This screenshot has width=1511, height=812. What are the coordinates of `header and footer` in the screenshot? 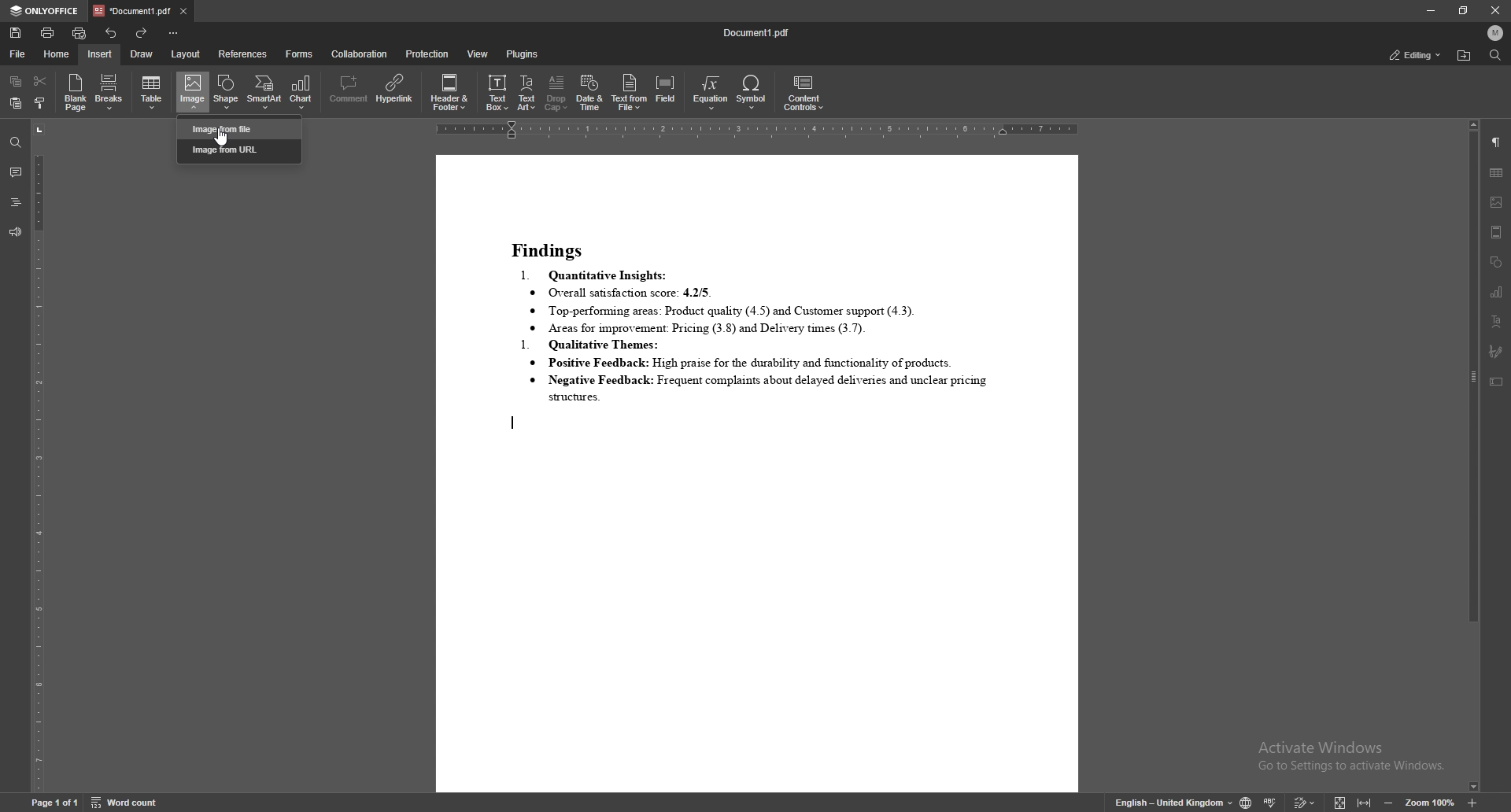 It's located at (450, 93).